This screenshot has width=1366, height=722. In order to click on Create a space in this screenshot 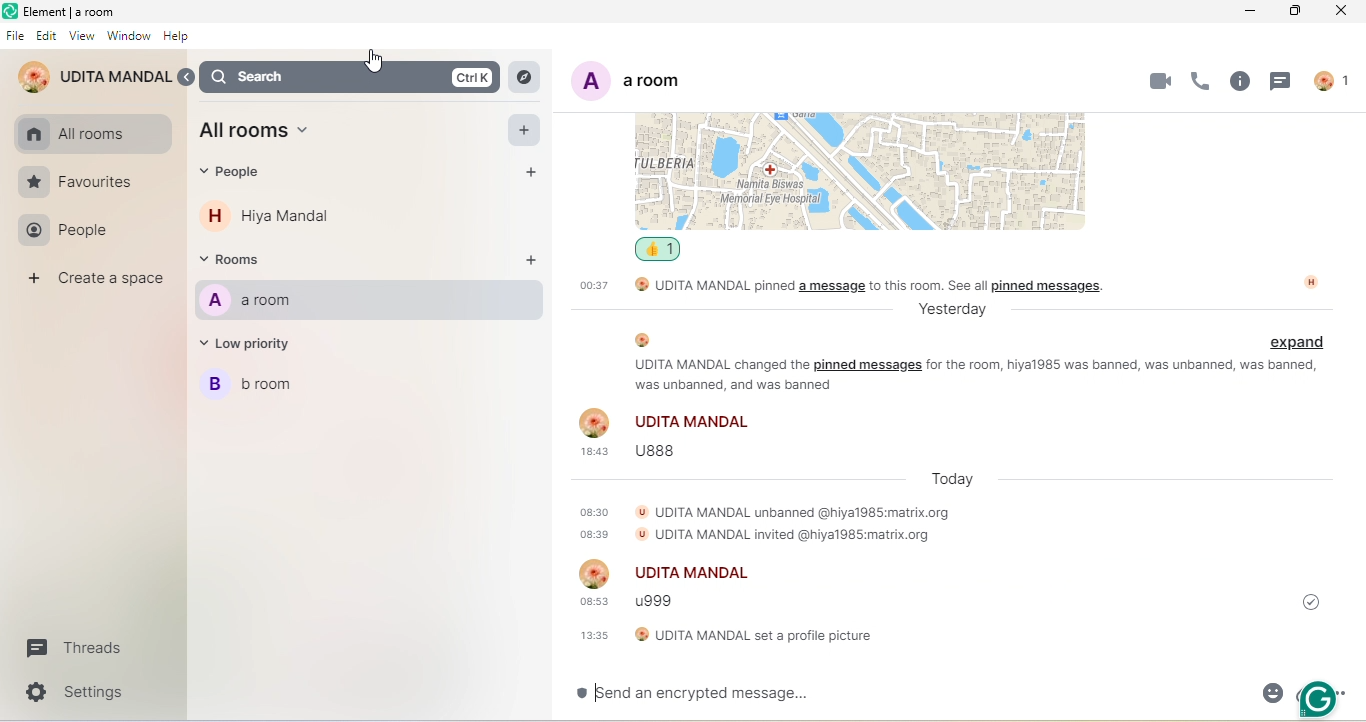, I will do `click(95, 282)`.